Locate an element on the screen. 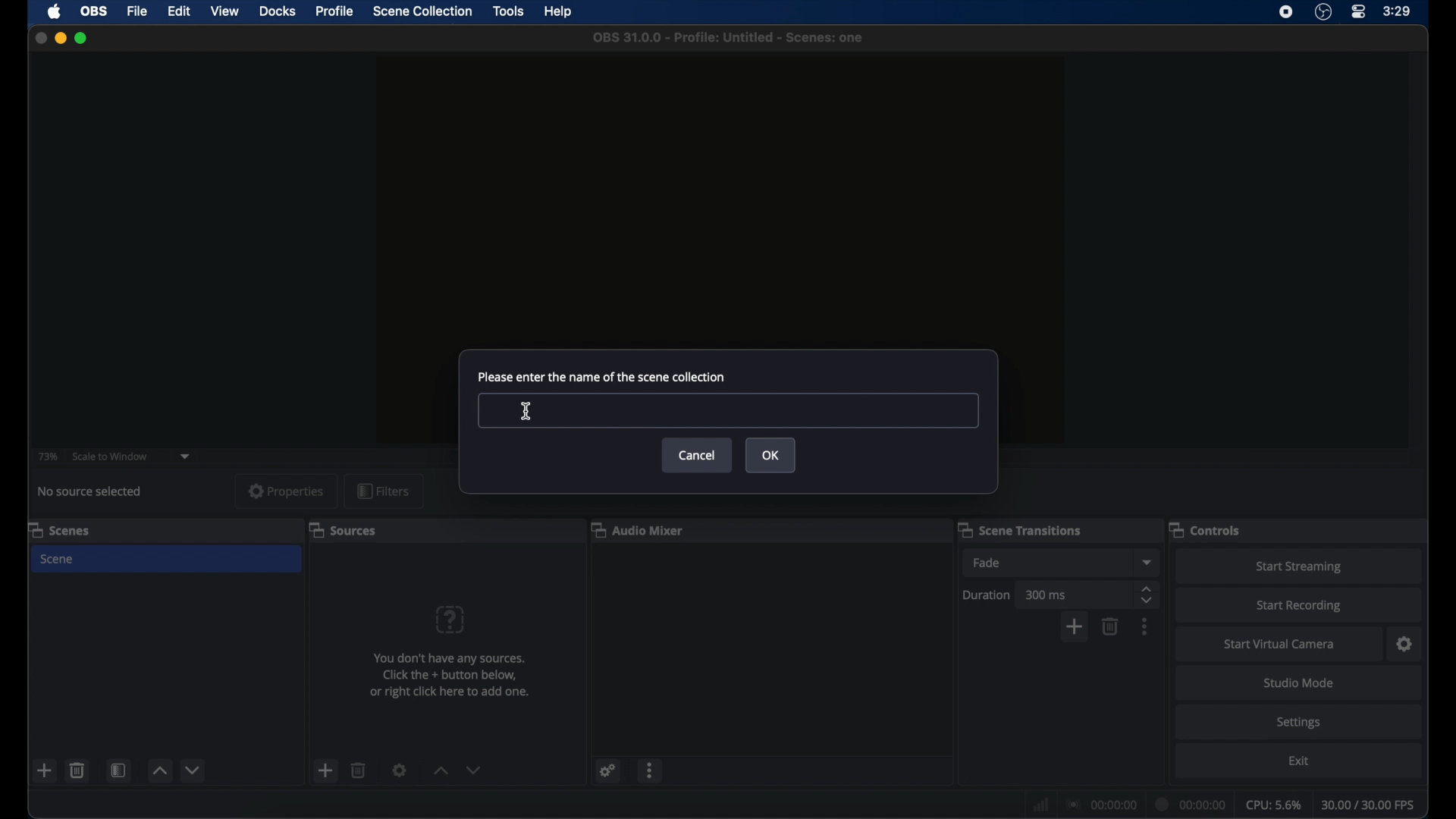  fade is located at coordinates (987, 563).